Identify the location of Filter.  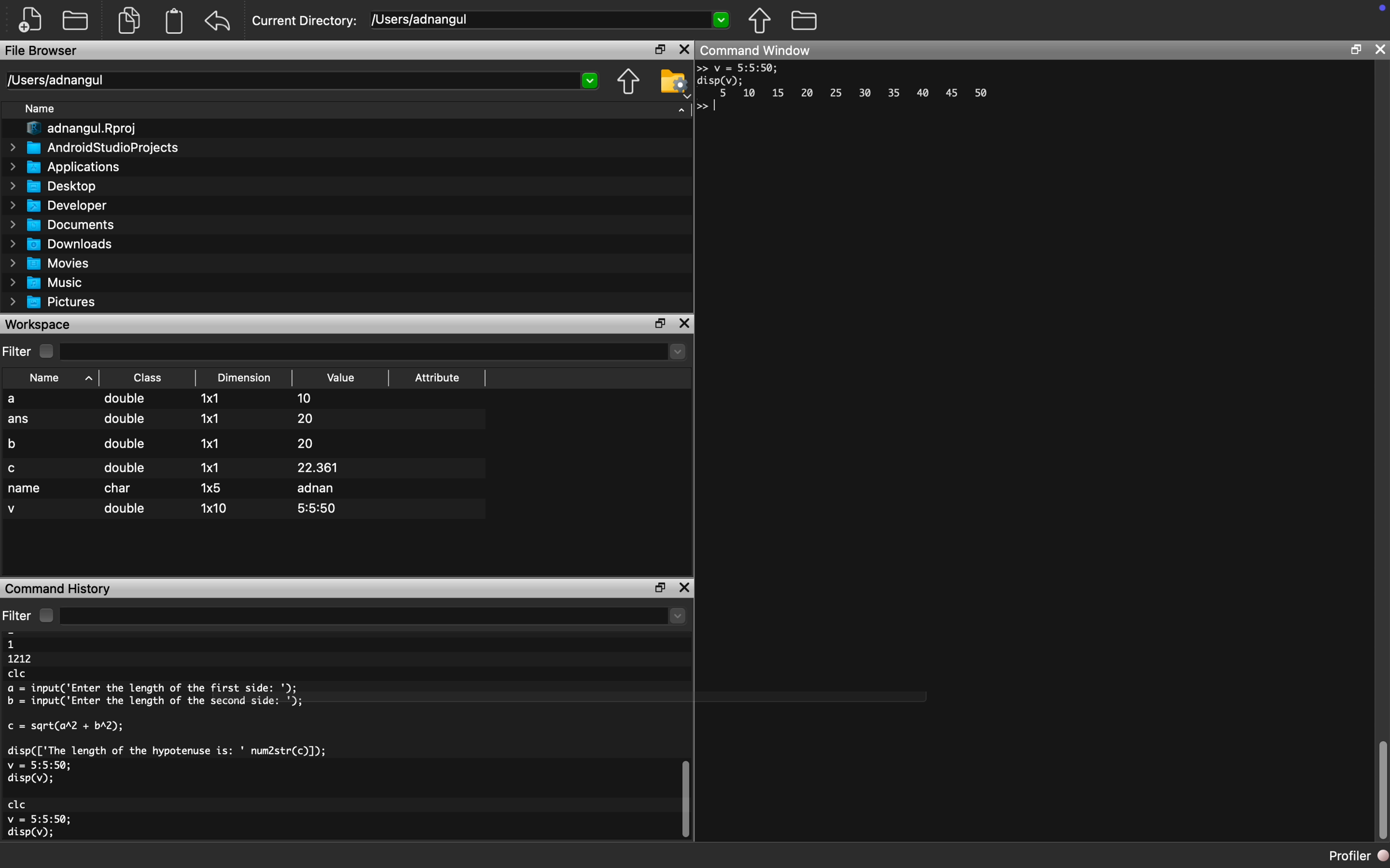
(31, 351).